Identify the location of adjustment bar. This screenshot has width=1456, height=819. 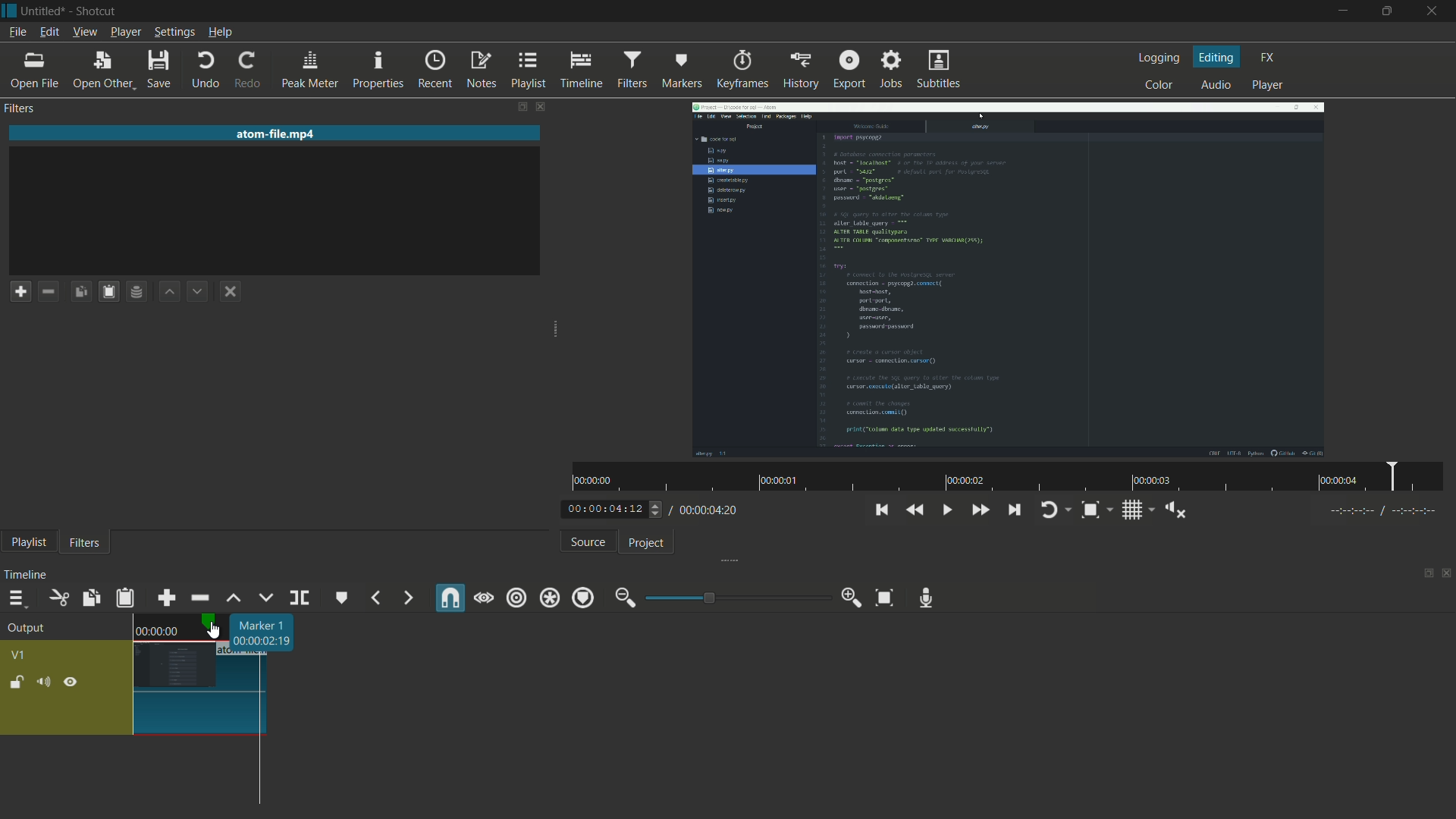
(734, 598).